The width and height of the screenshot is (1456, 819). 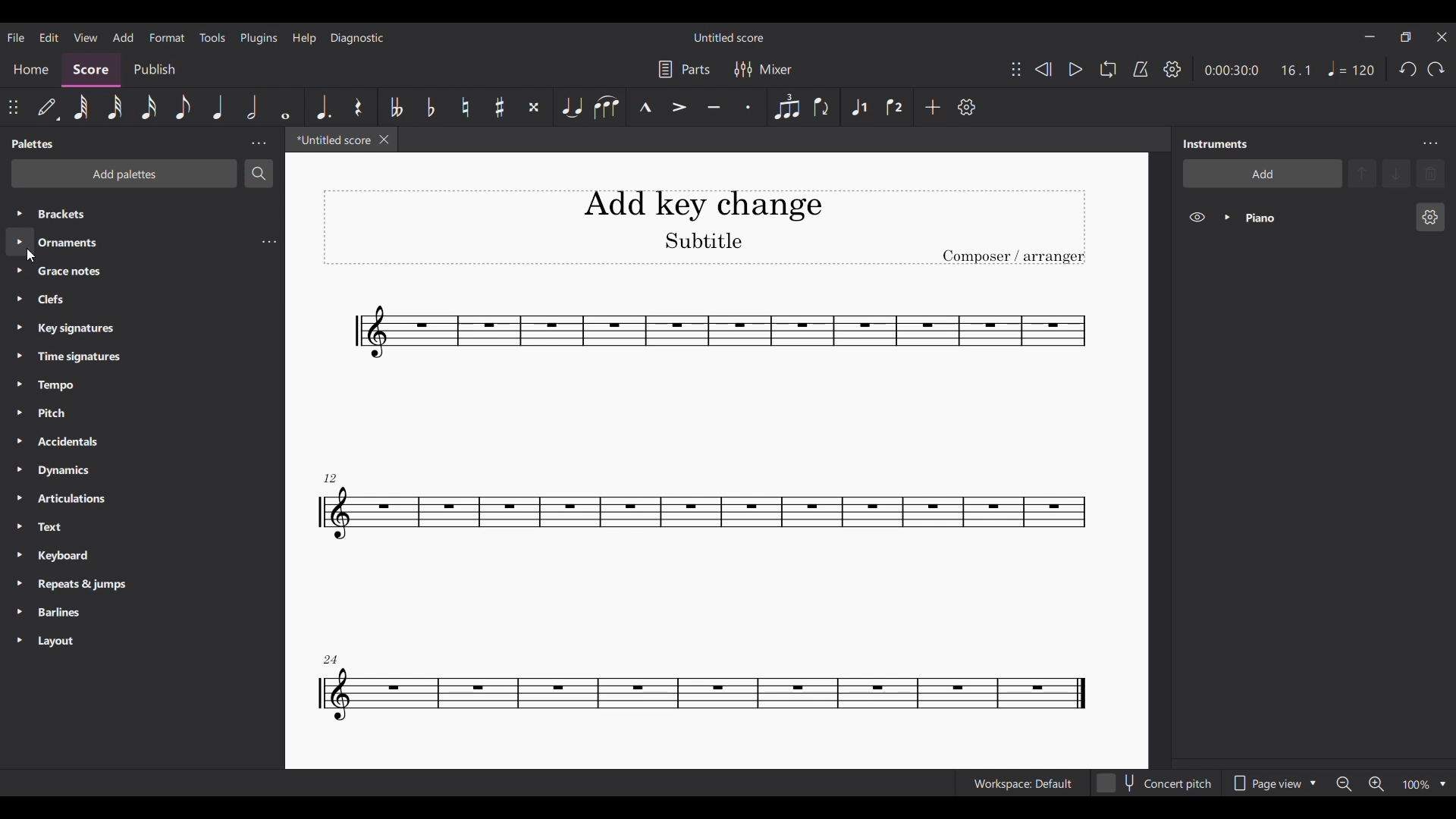 I want to click on Accent , so click(x=678, y=107).